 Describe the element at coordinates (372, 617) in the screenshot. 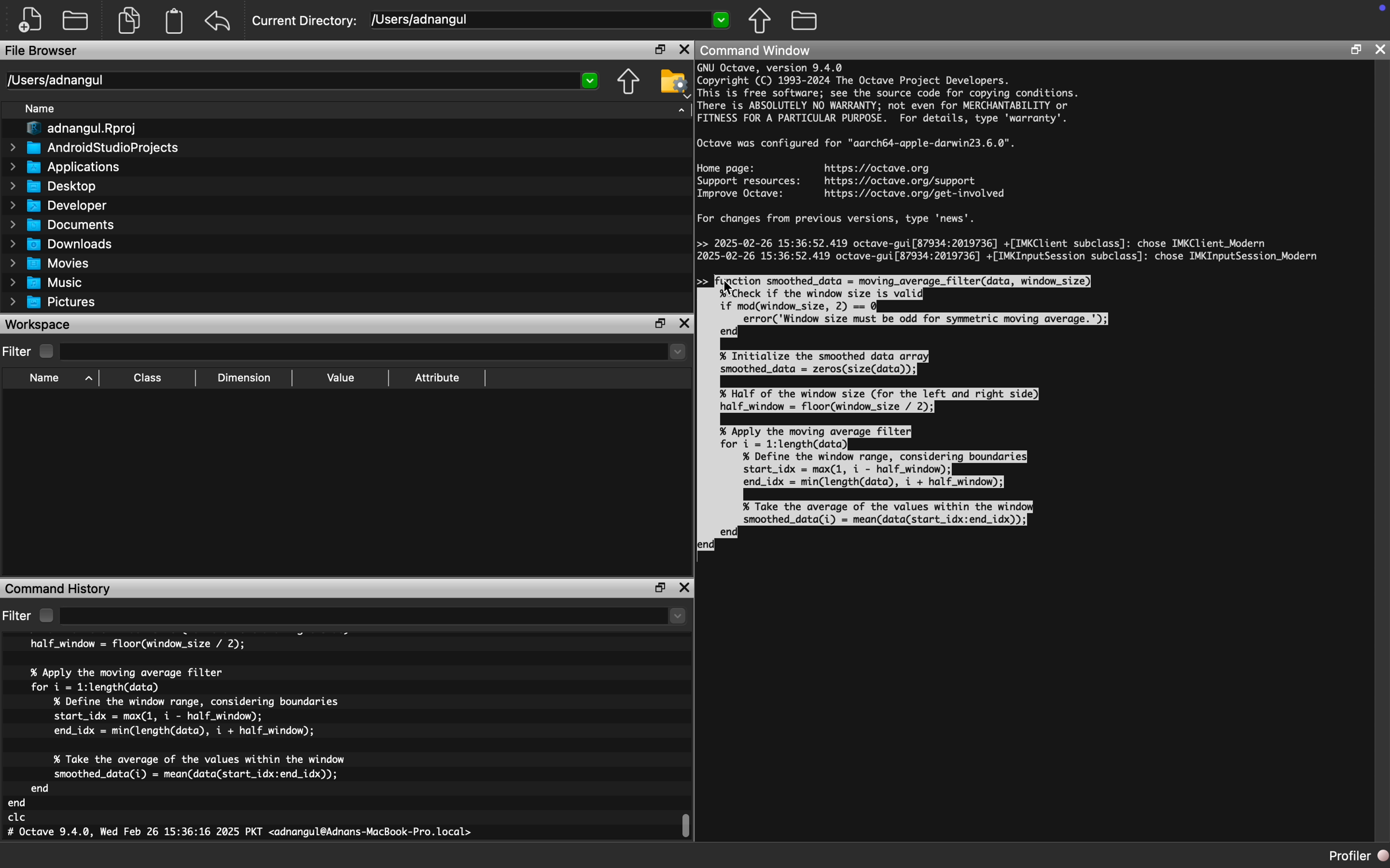

I see `Dropdown` at that location.